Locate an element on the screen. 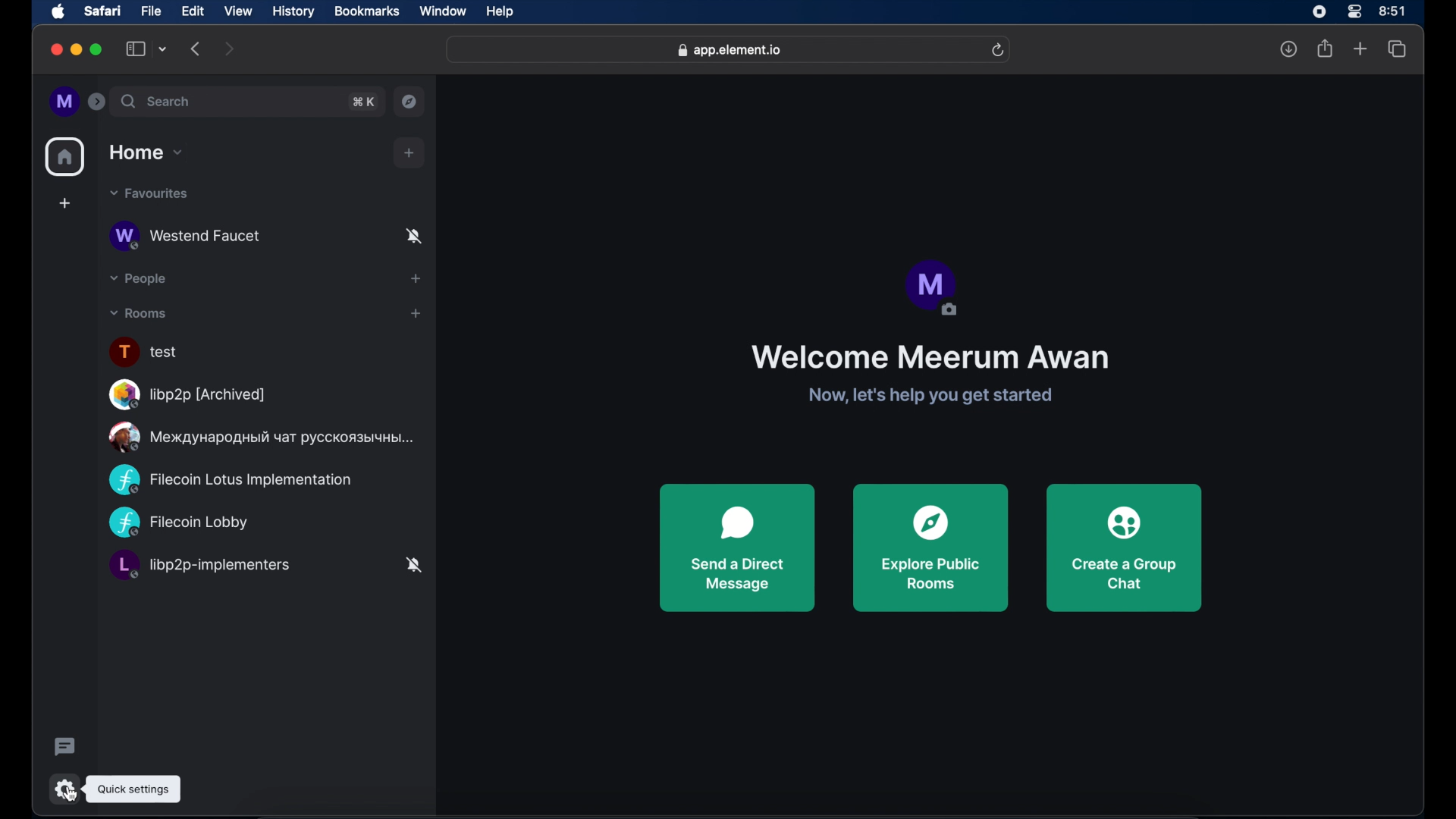 The image size is (1456, 819). edit is located at coordinates (193, 12).